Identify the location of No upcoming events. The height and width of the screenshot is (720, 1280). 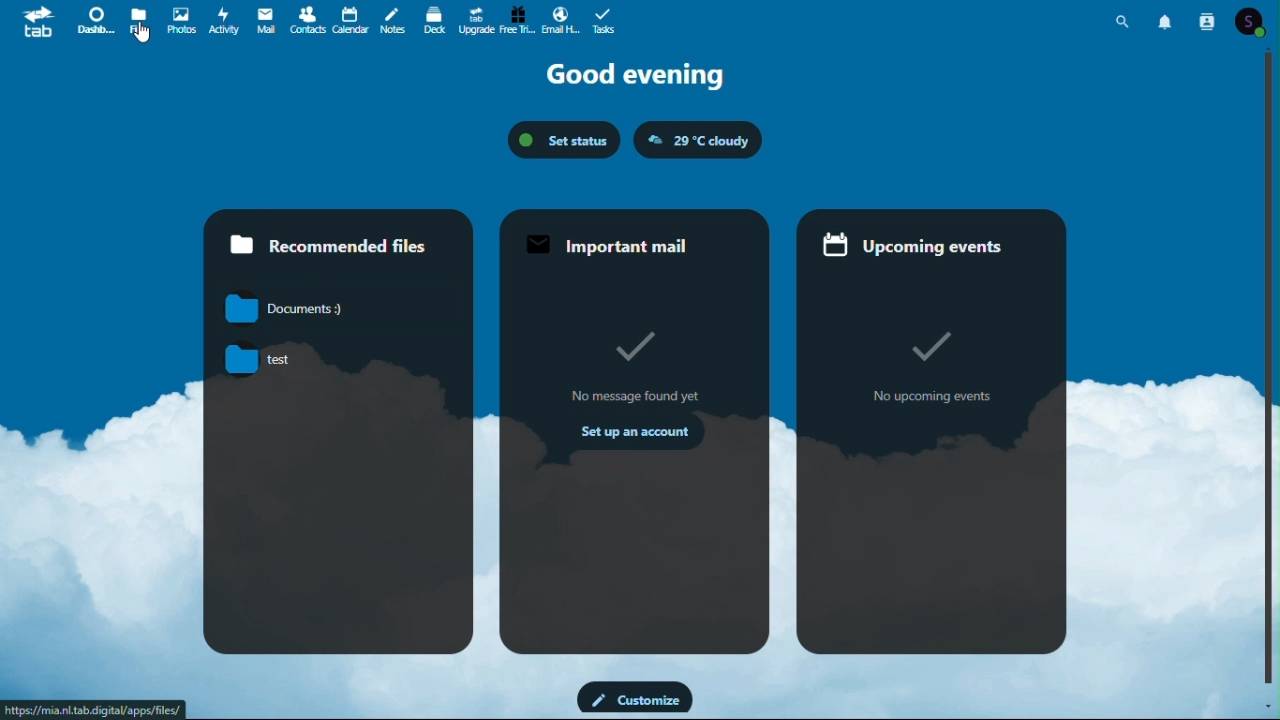
(930, 399).